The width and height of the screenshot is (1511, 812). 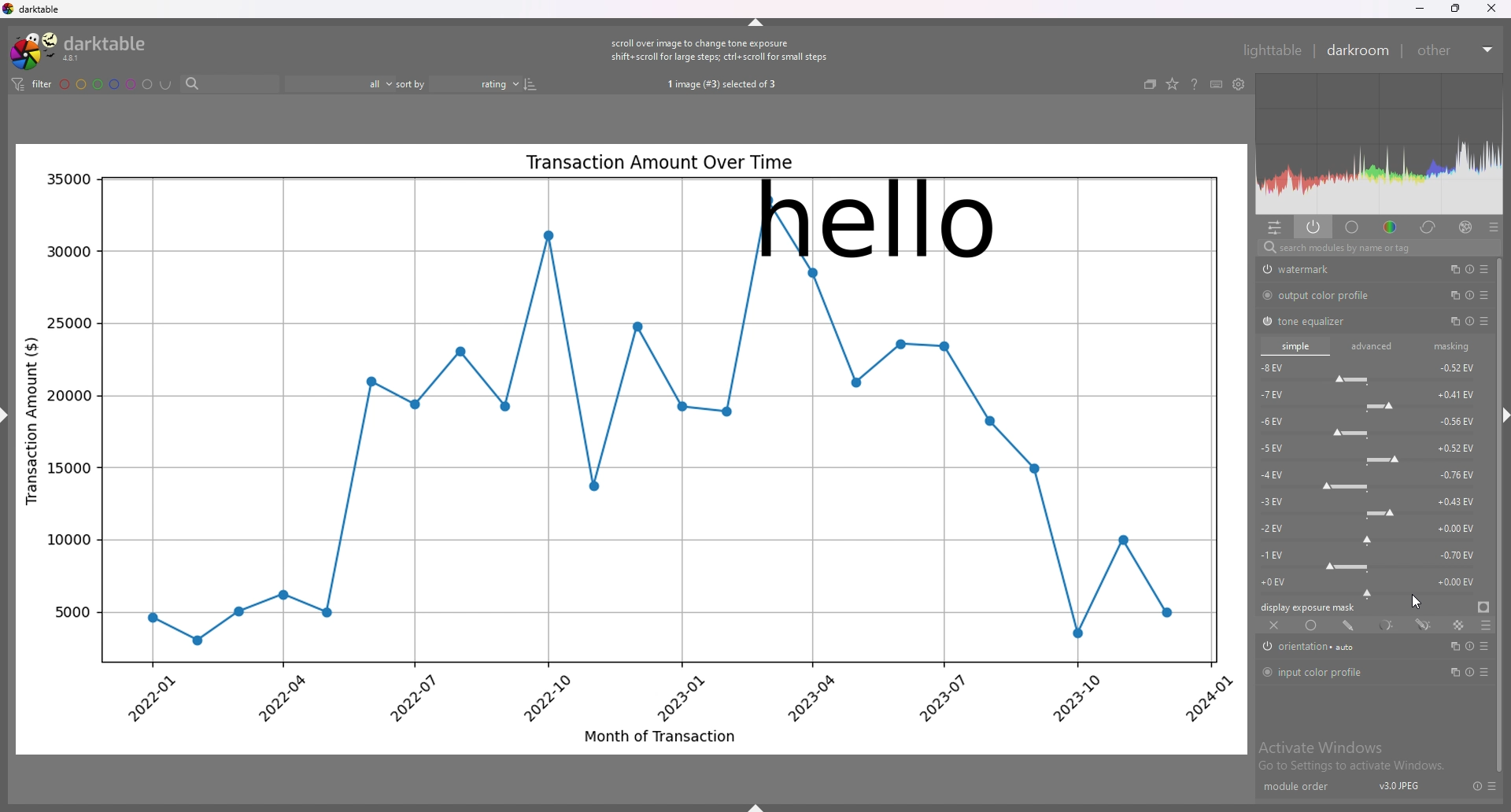 I want to click on sort order, so click(x=475, y=83).